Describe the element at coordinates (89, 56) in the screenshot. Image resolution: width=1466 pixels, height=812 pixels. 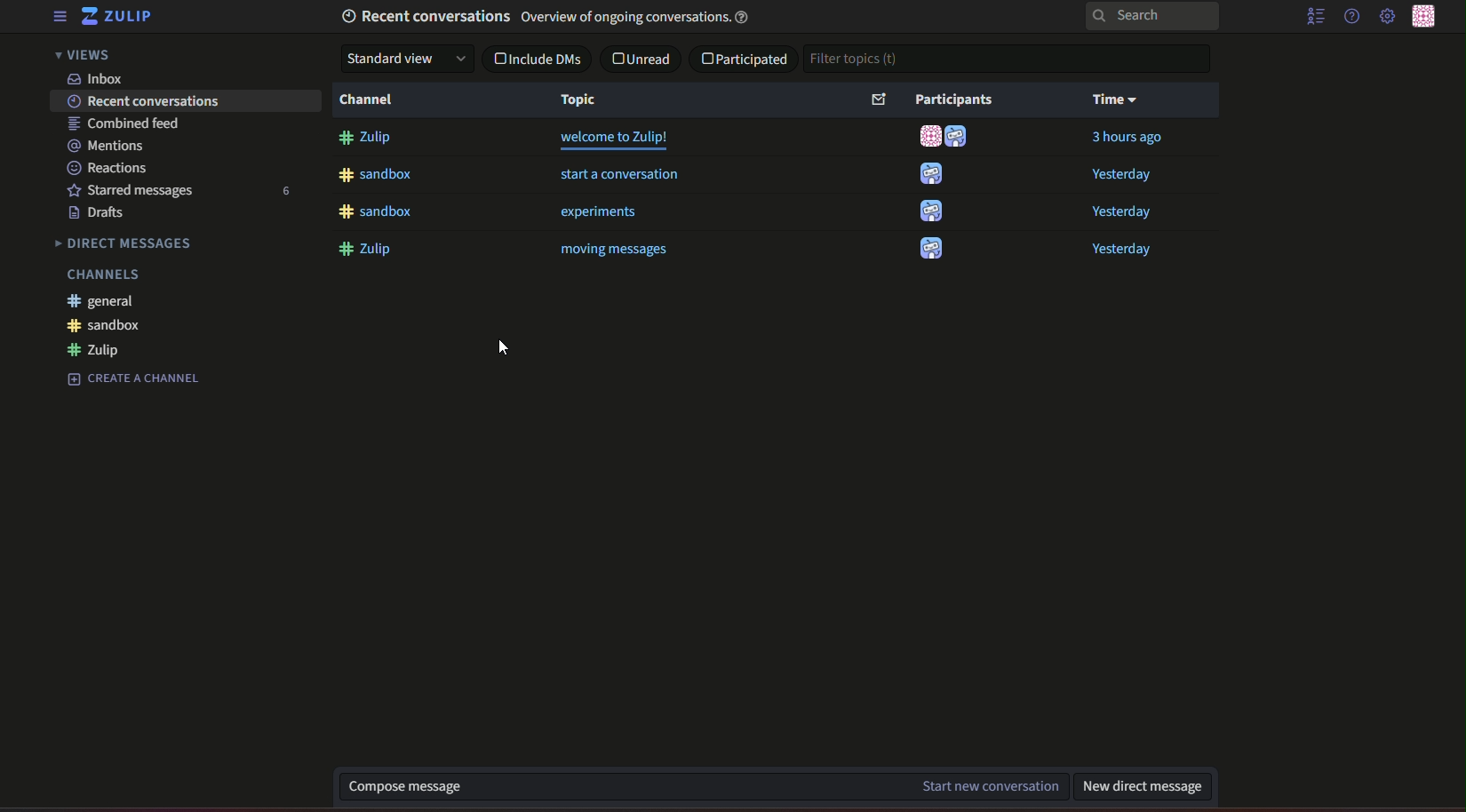
I see `views` at that location.